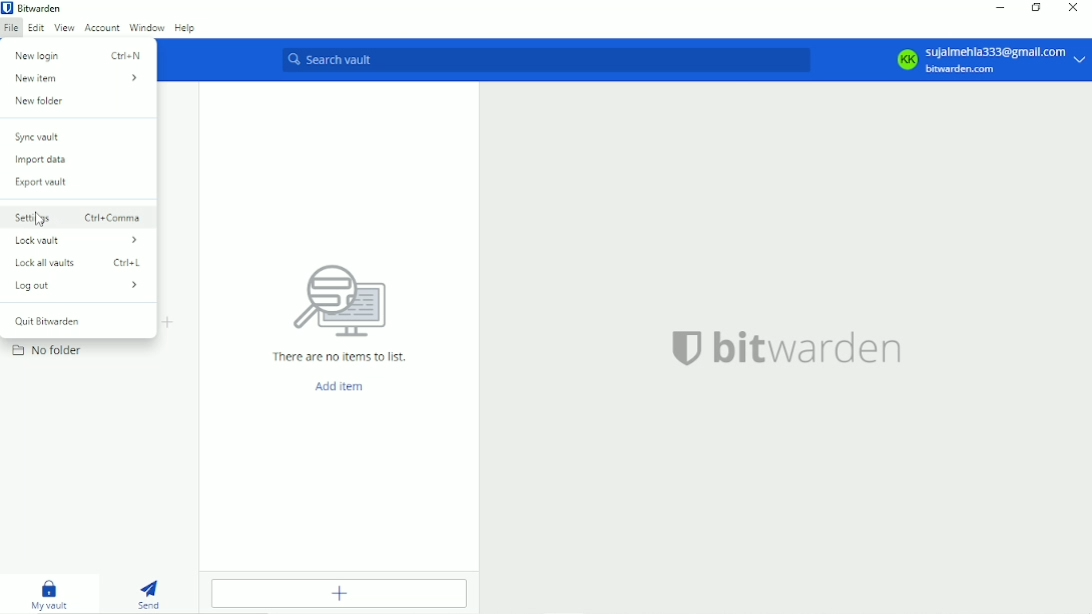  I want to click on Edit, so click(35, 28).